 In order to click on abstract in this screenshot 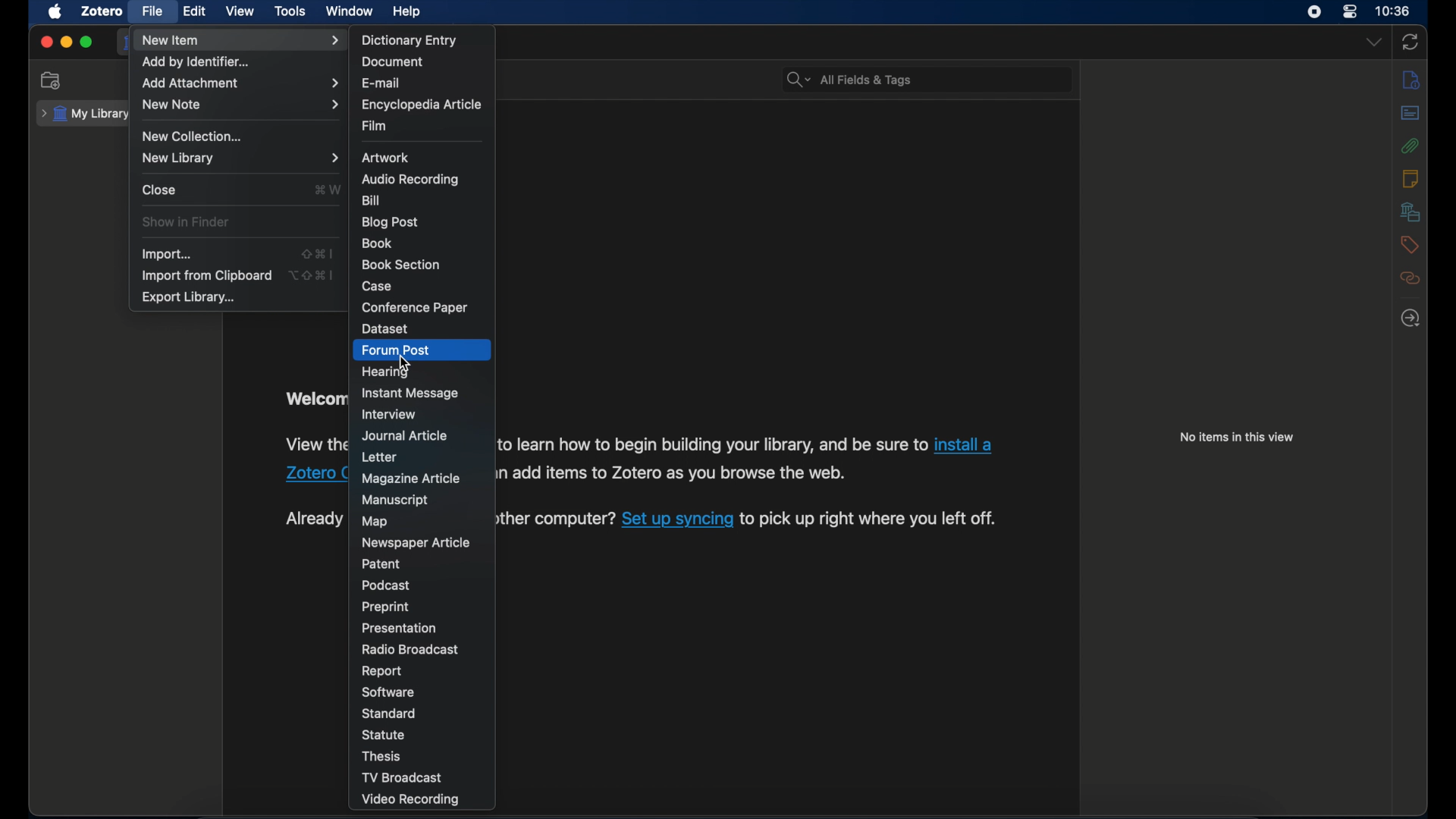, I will do `click(1411, 113)`.